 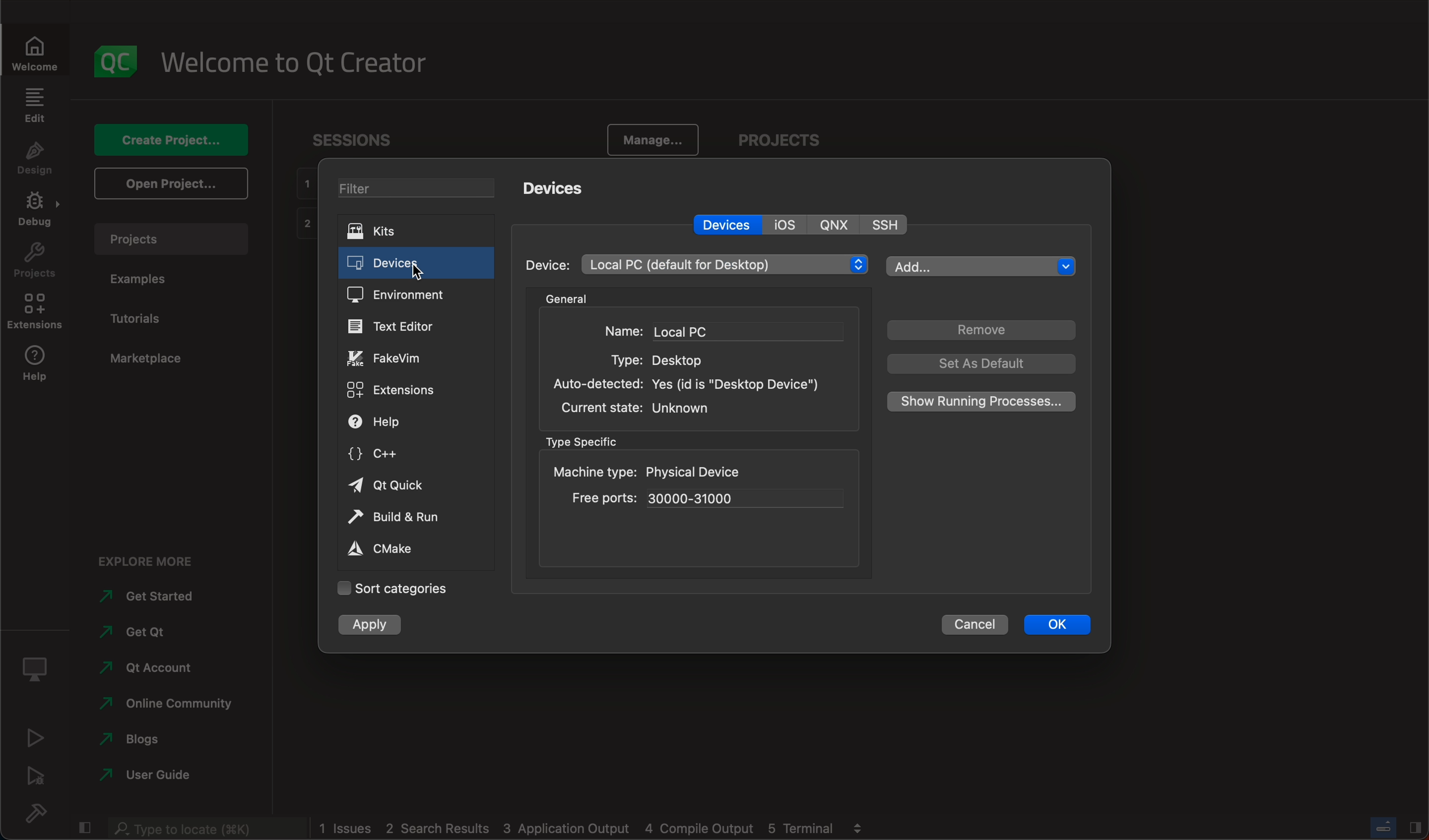 I want to click on qt quick, so click(x=400, y=487).